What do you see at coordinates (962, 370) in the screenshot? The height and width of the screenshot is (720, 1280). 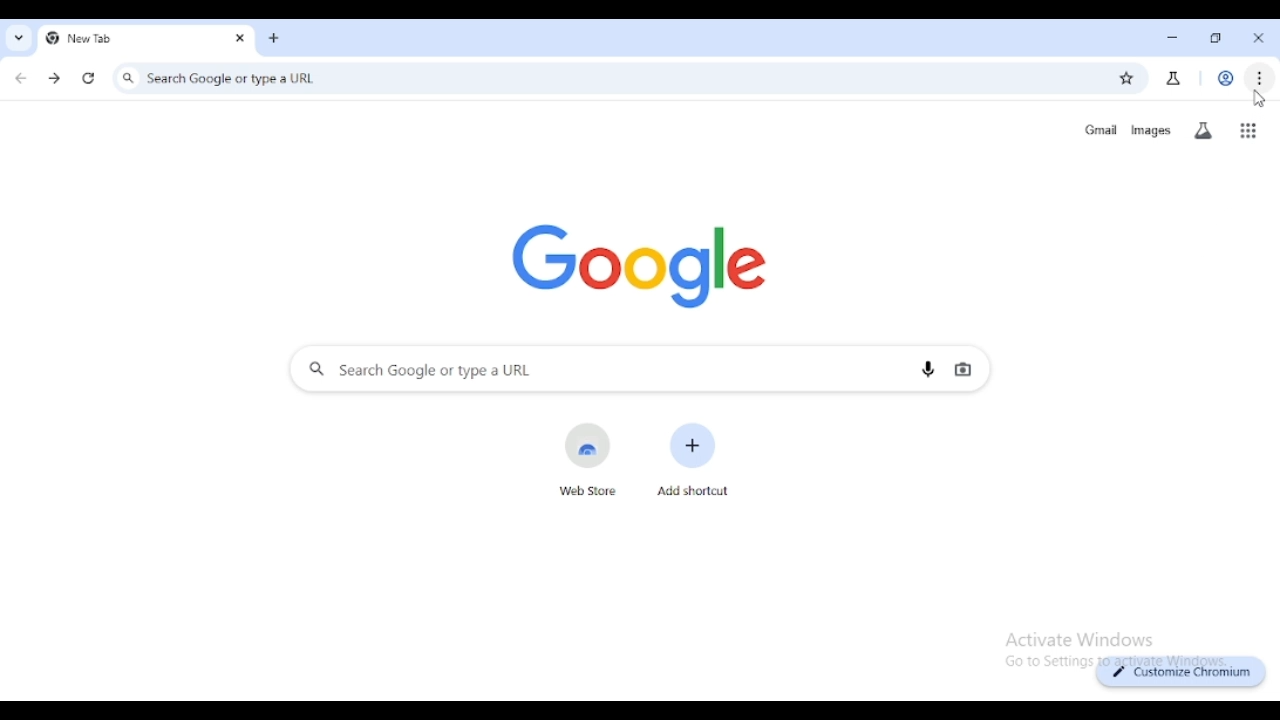 I see `search by image` at bounding box center [962, 370].